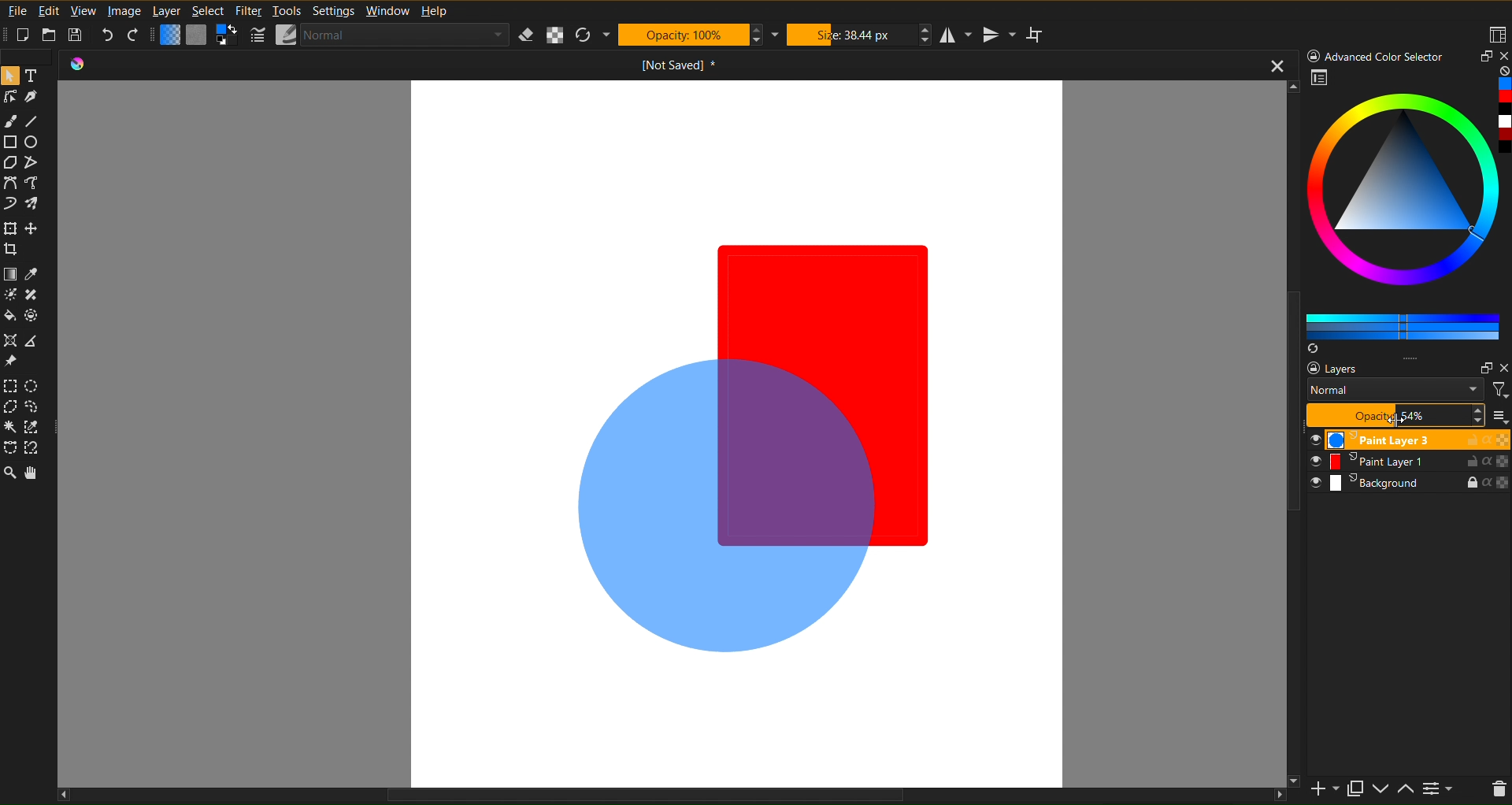 This screenshot has height=805, width=1512. Describe the element at coordinates (1337, 367) in the screenshot. I see `layers` at that location.